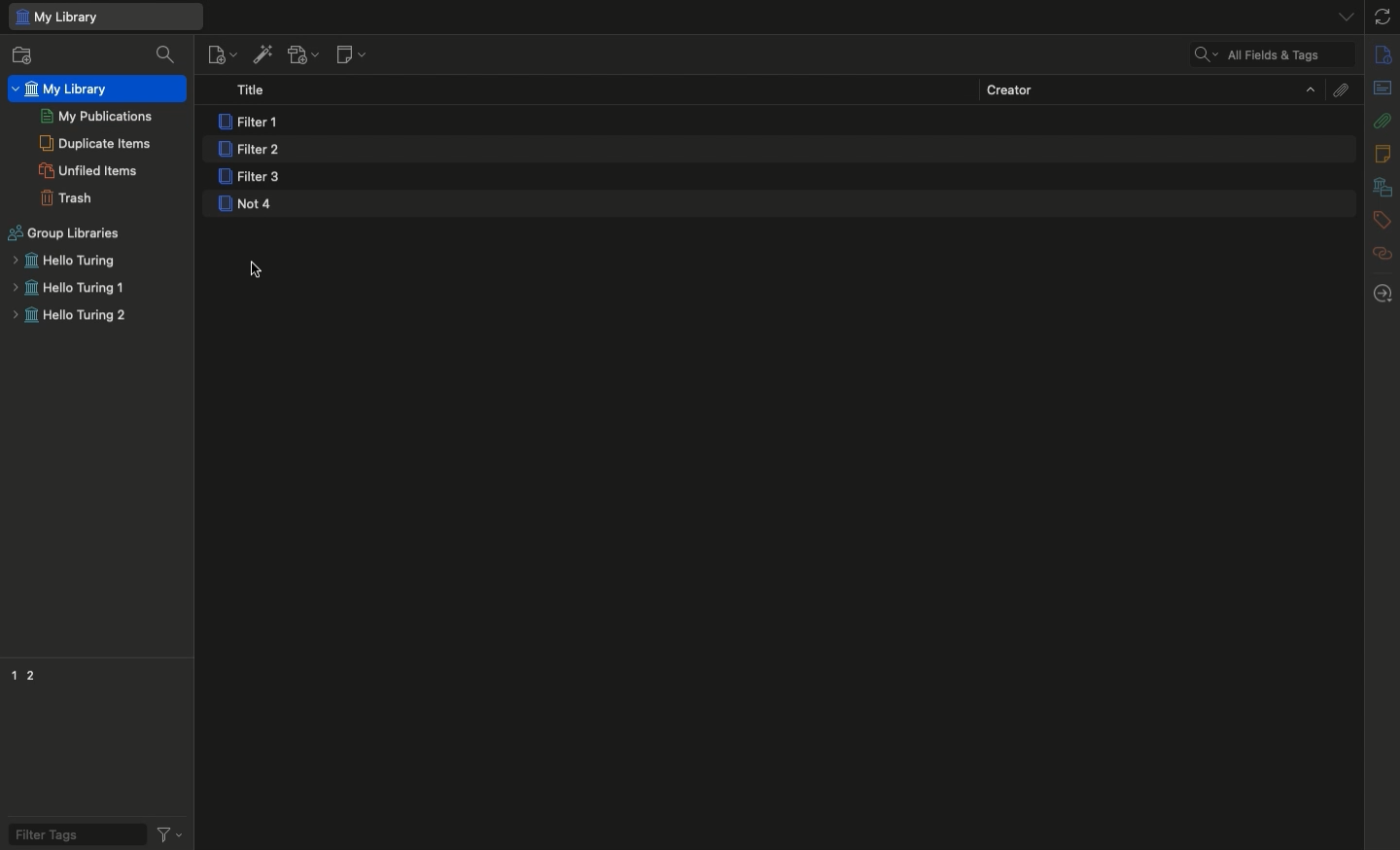 Image resolution: width=1400 pixels, height=850 pixels. I want to click on Filter 1, so click(252, 123).